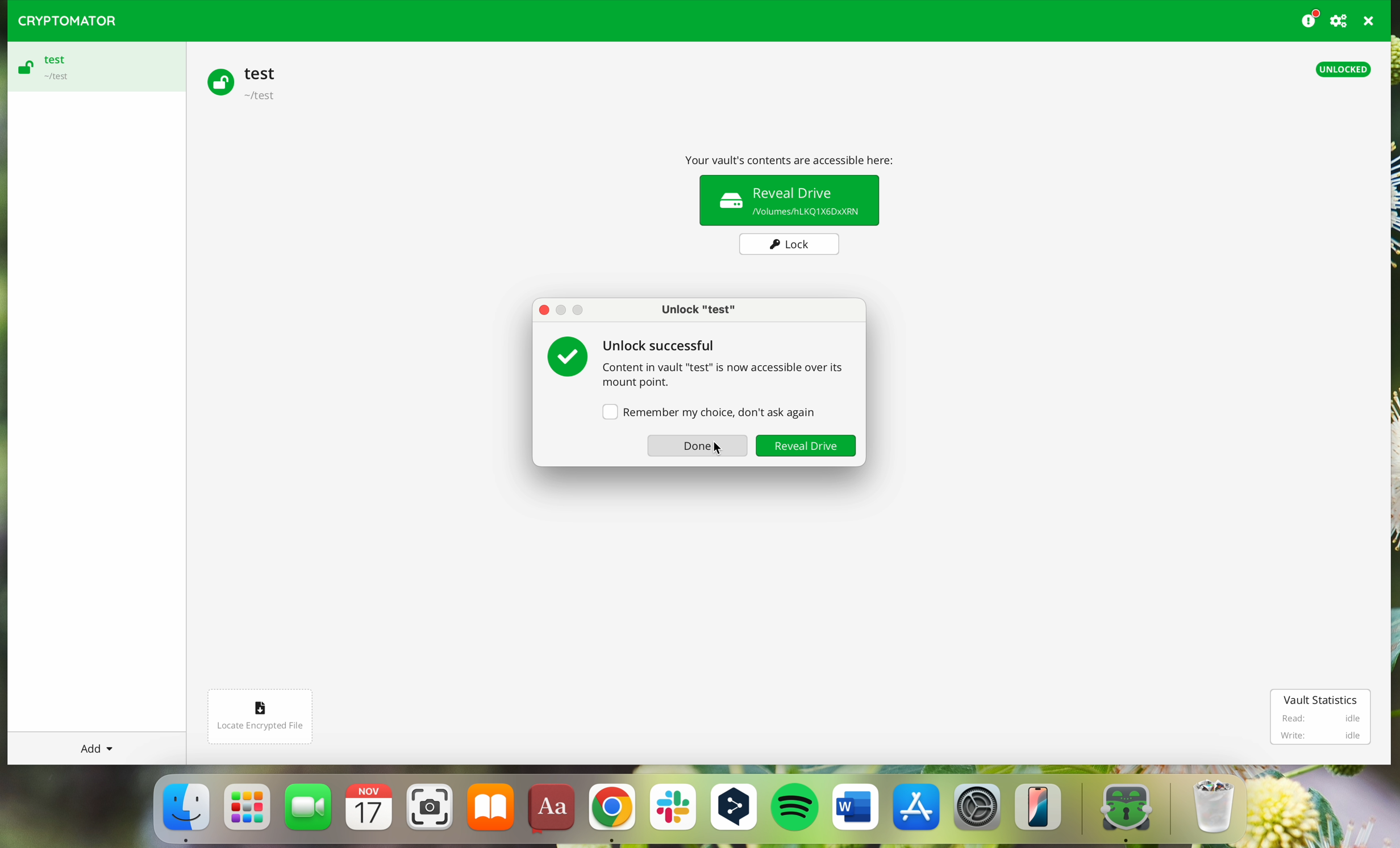  Describe the element at coordinates (430, 812) in the screenshot. I see `screenshot` at that location.